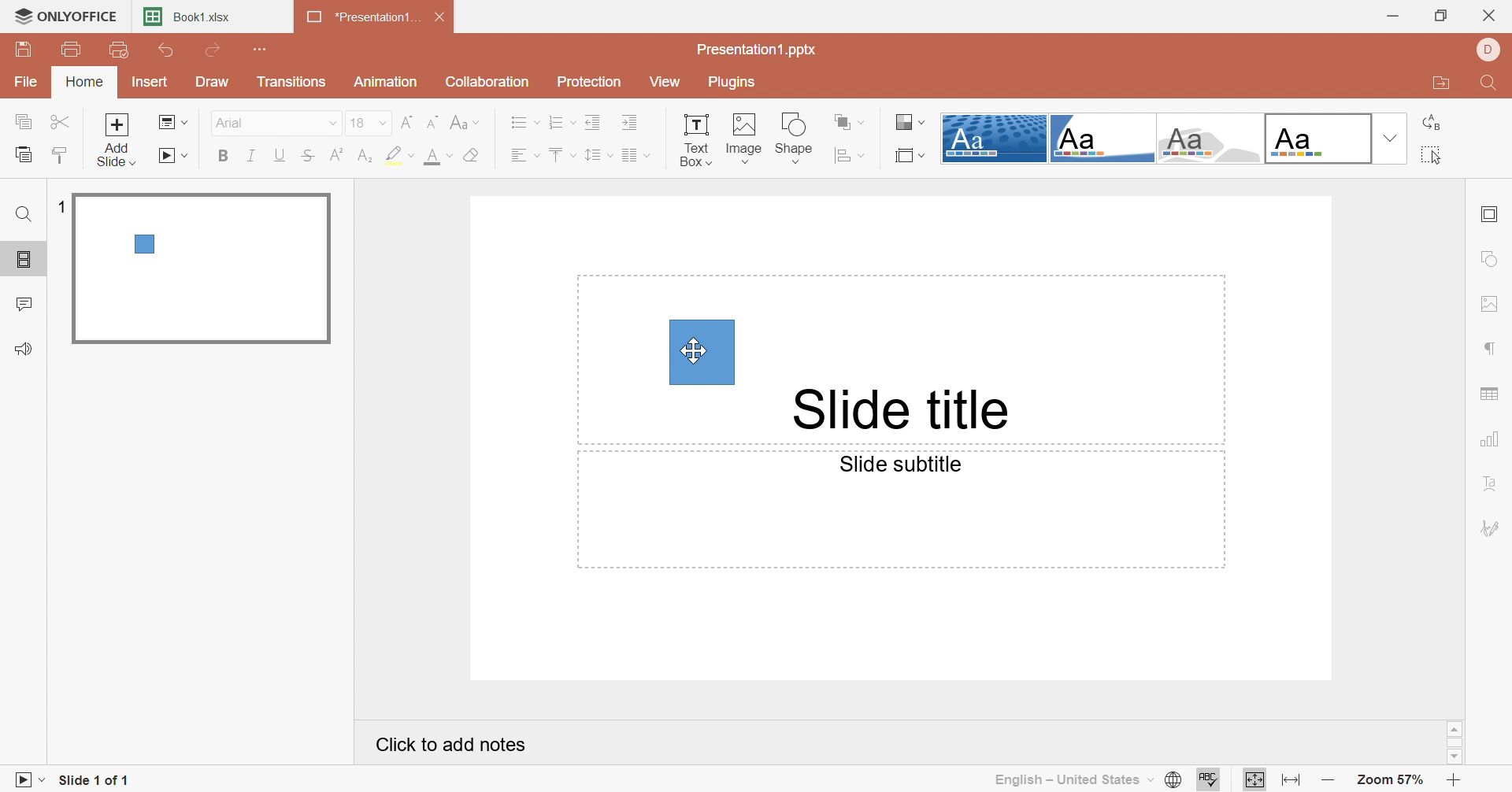  Describe the element at coordinates (697, 142) in the screenshot. I see `Text Box` at that location.